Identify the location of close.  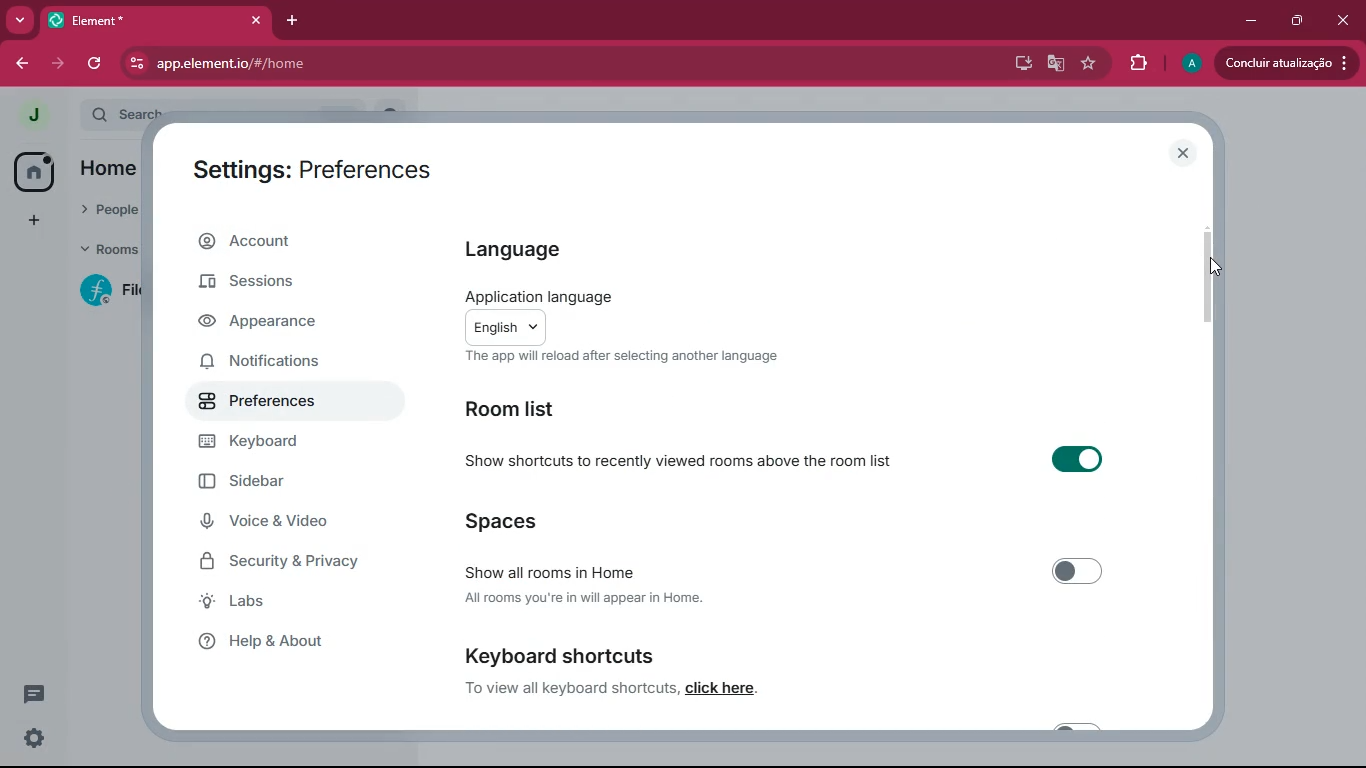
(1181, 154).